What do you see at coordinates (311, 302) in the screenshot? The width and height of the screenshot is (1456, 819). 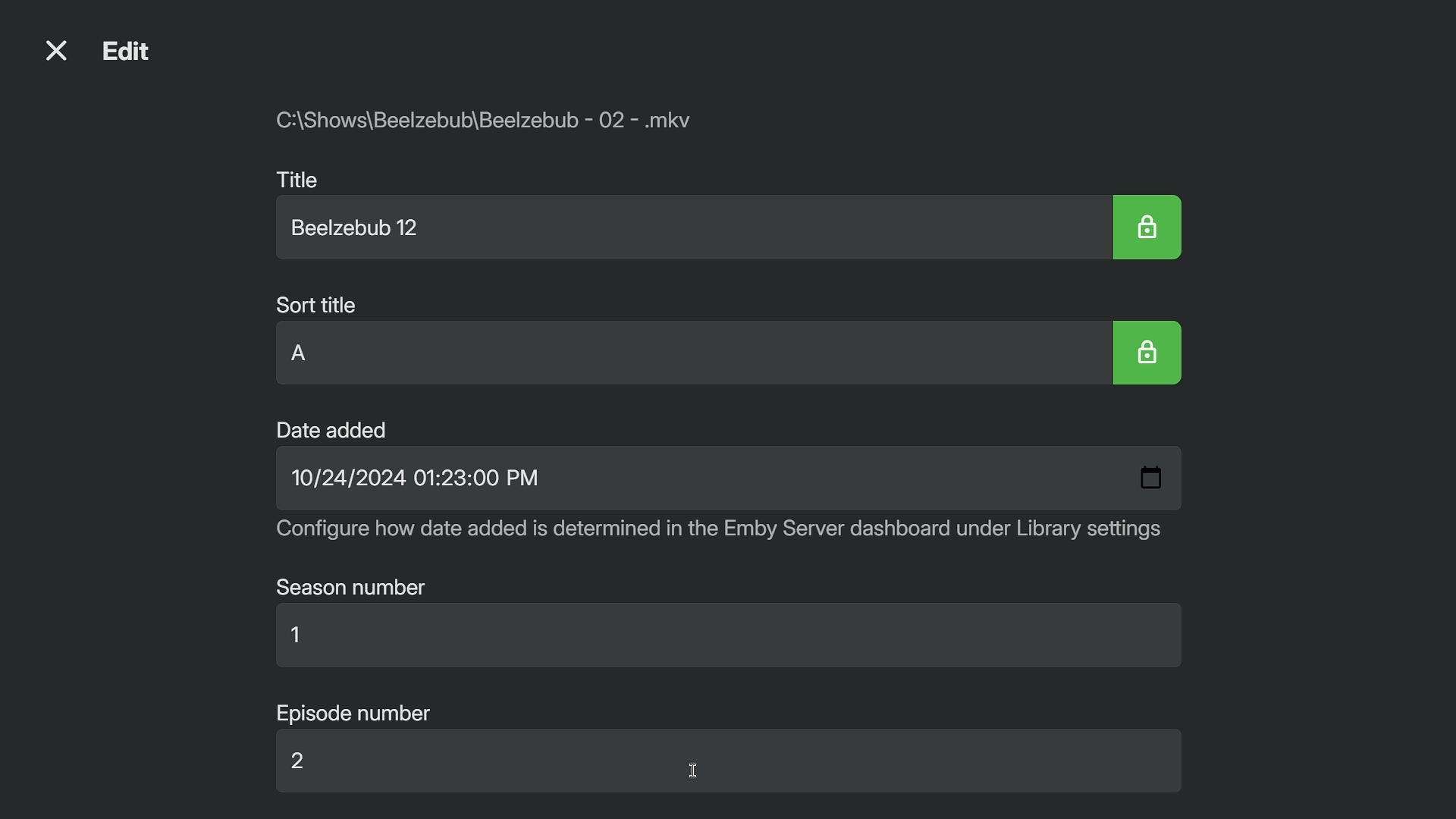 I see `Sort title` at bounding box center [311, 302].